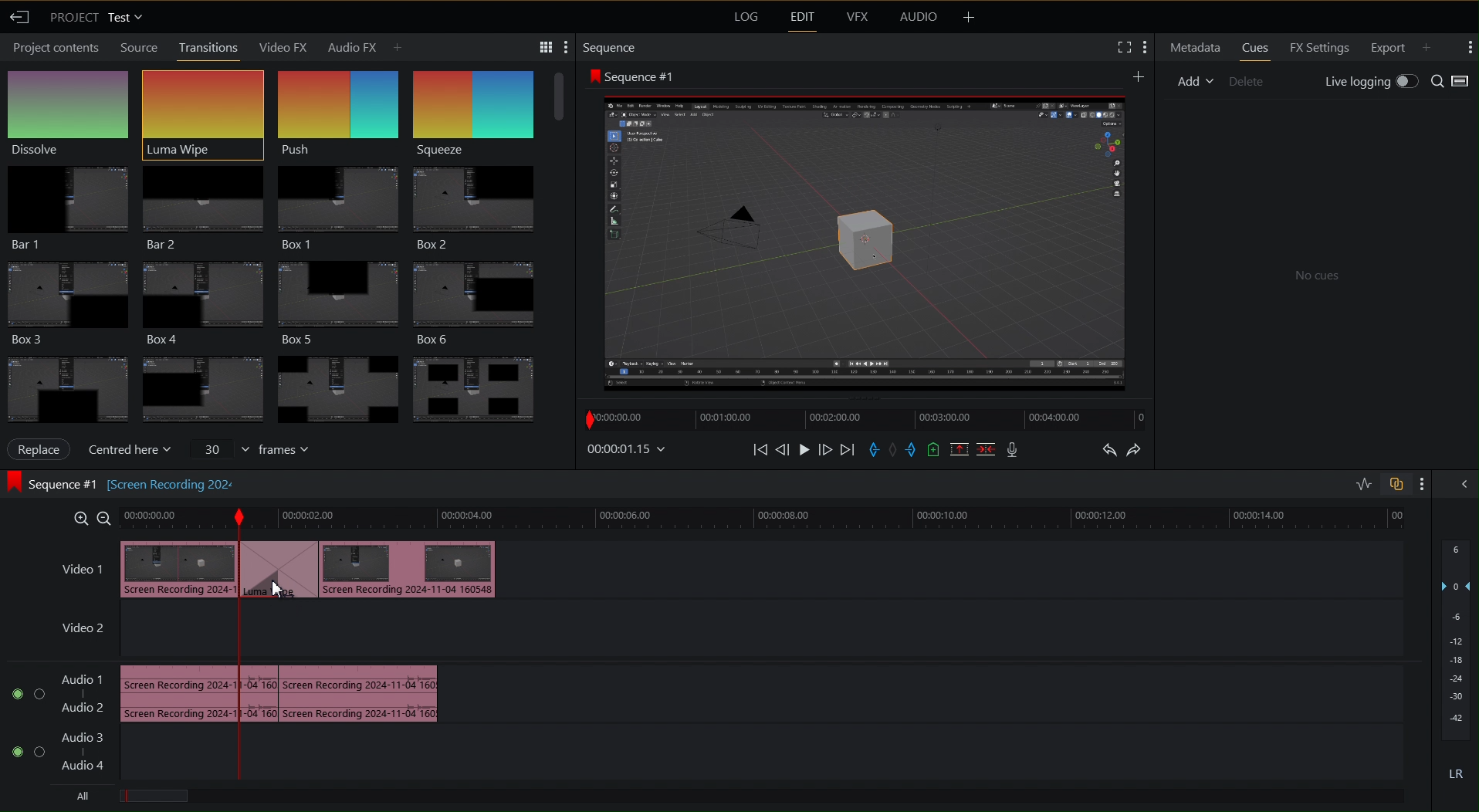  Describe the element at coordinates (1195, 81) in the screenshot. I see `Add` at that location.